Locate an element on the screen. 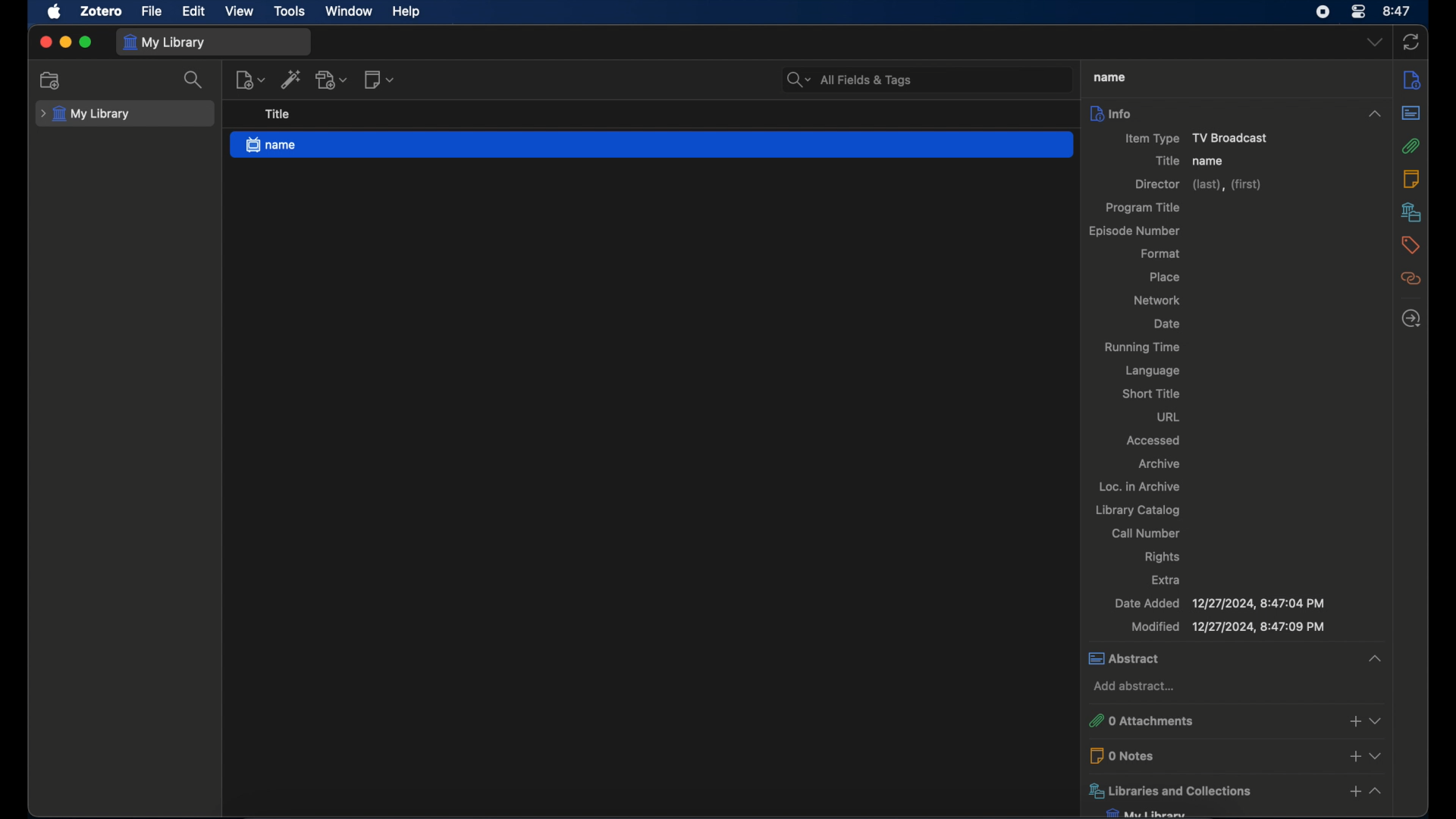 The width and height of the screenshot is (1456, 819). archive is located at coordinates (1160, 464).